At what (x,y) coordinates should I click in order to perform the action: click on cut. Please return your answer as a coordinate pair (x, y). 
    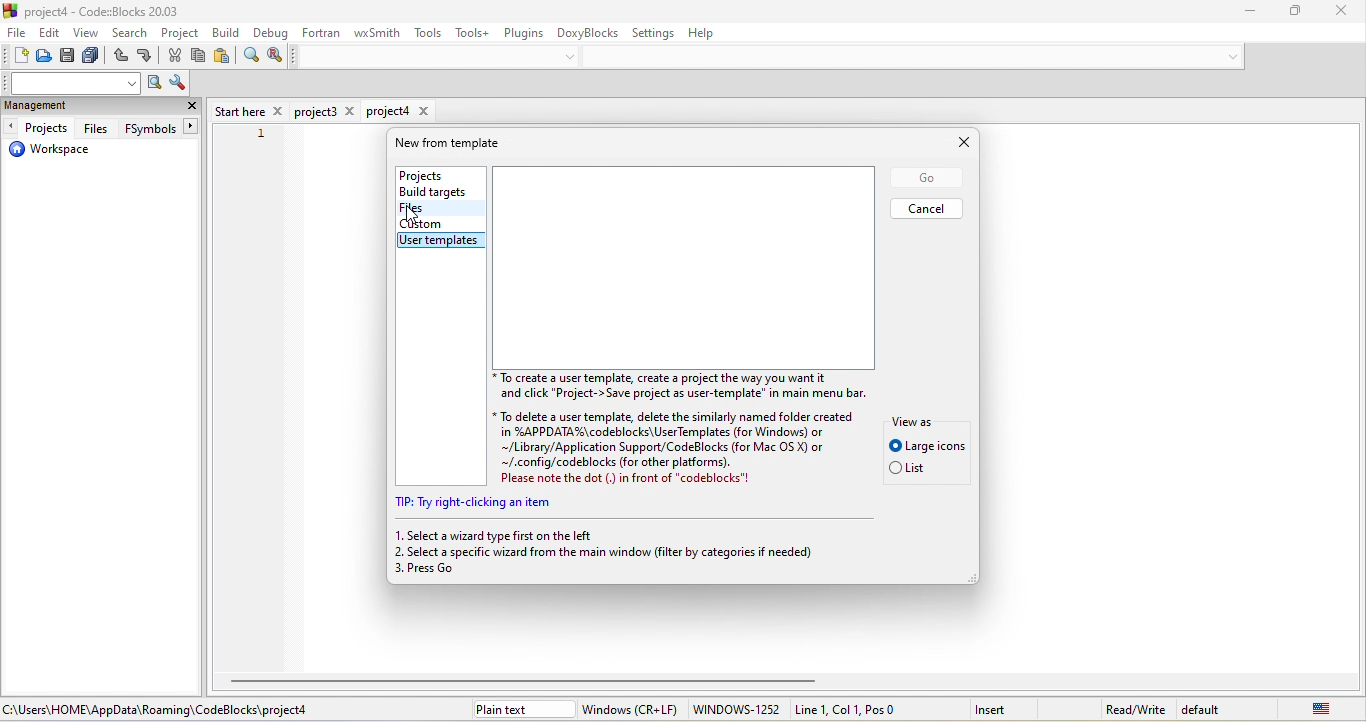
    Looking at the image, I should click on (176, 57).